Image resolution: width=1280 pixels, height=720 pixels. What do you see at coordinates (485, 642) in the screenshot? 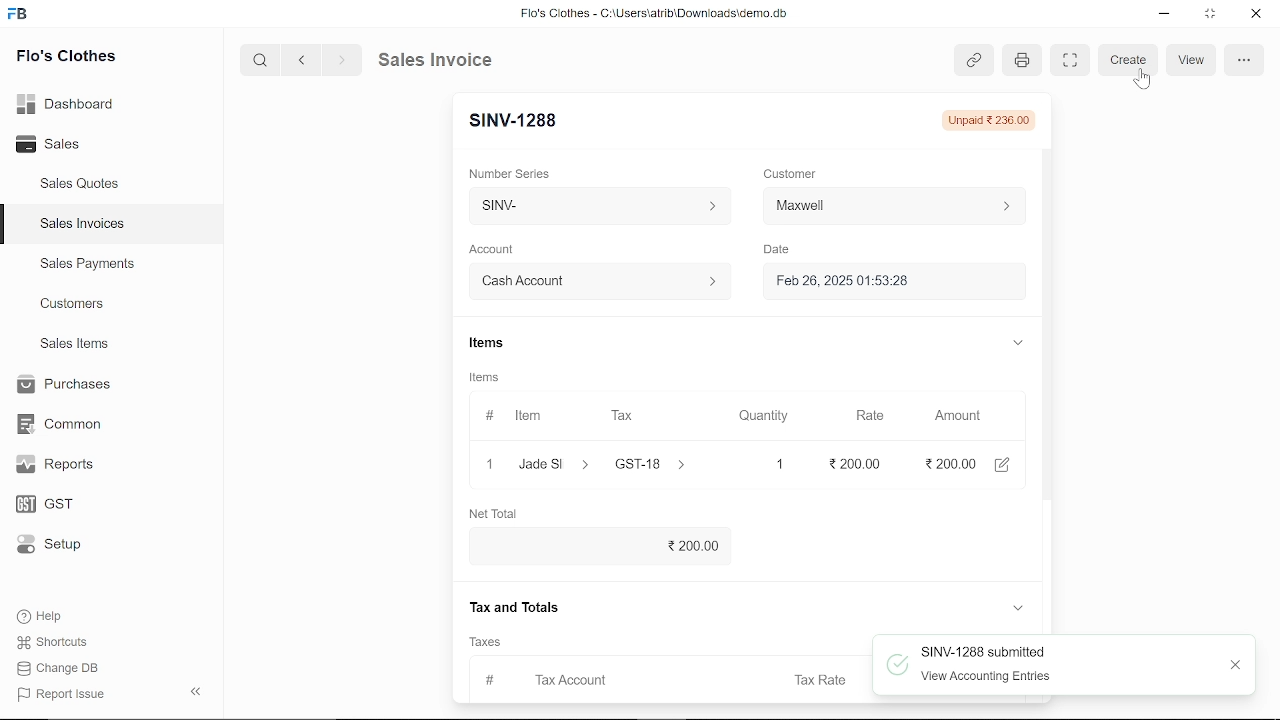
I see `‘Taxes` at bounding box center [485, 642].